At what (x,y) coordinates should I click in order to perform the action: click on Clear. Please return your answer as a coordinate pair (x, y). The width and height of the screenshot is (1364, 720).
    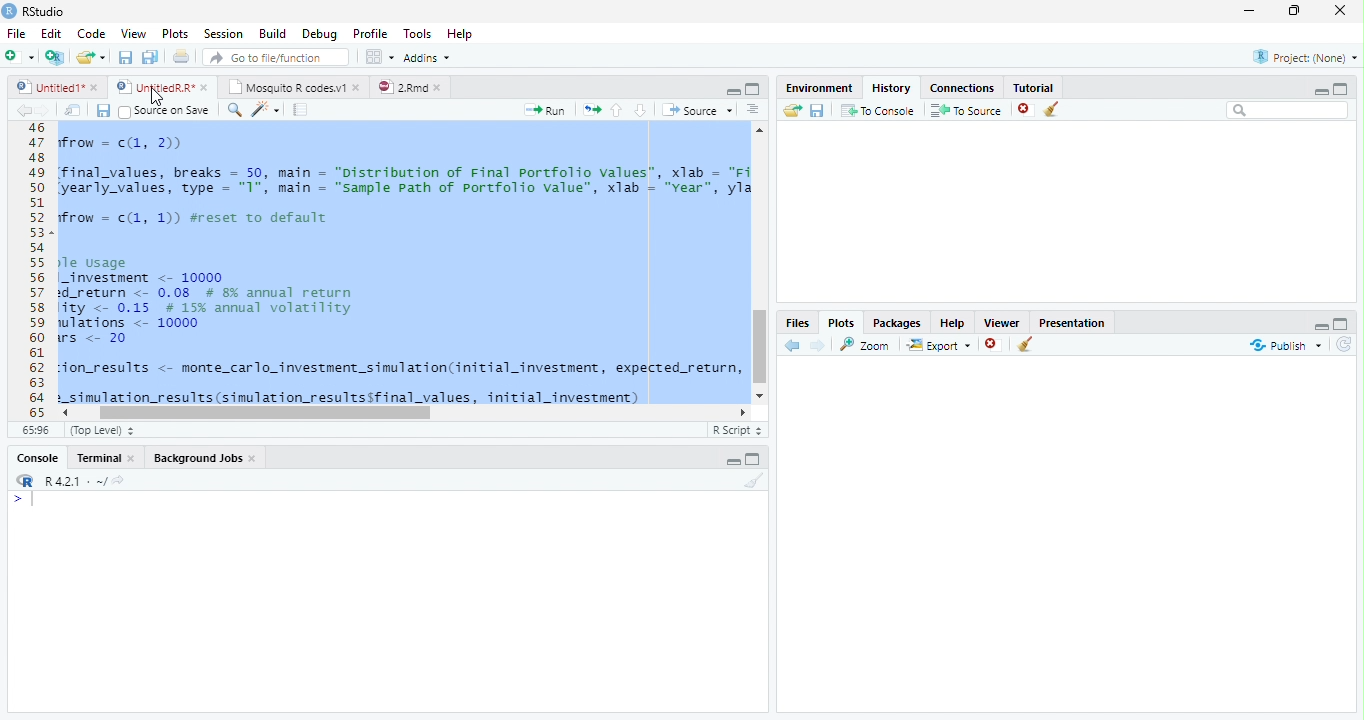
    Looking at the image, I should click on (751, 481).